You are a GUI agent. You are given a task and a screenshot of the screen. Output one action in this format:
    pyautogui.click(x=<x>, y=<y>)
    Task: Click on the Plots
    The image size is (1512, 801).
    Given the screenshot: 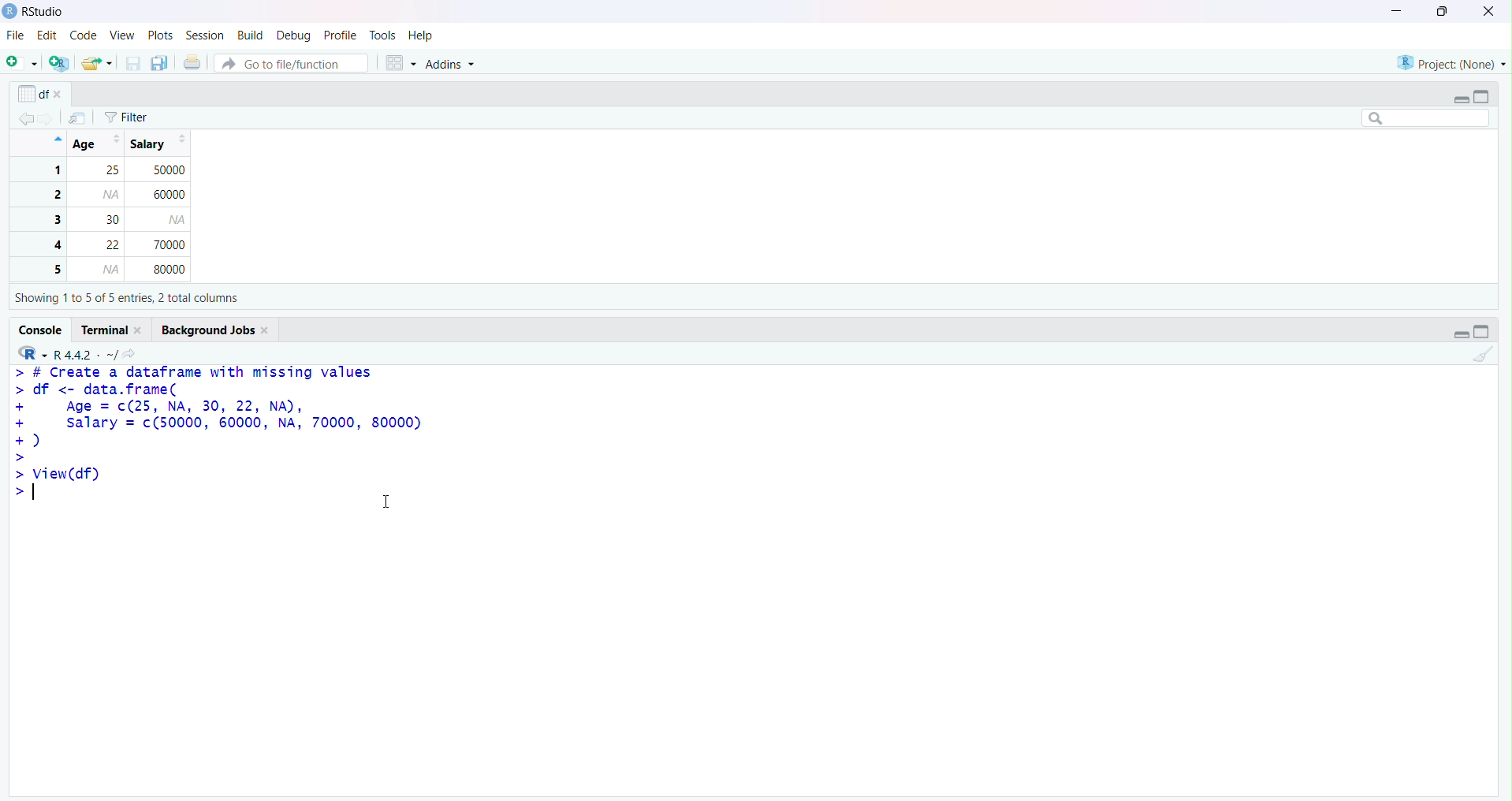 What is the action you would take?
    pyautogui.click(x=158, y=35)
    